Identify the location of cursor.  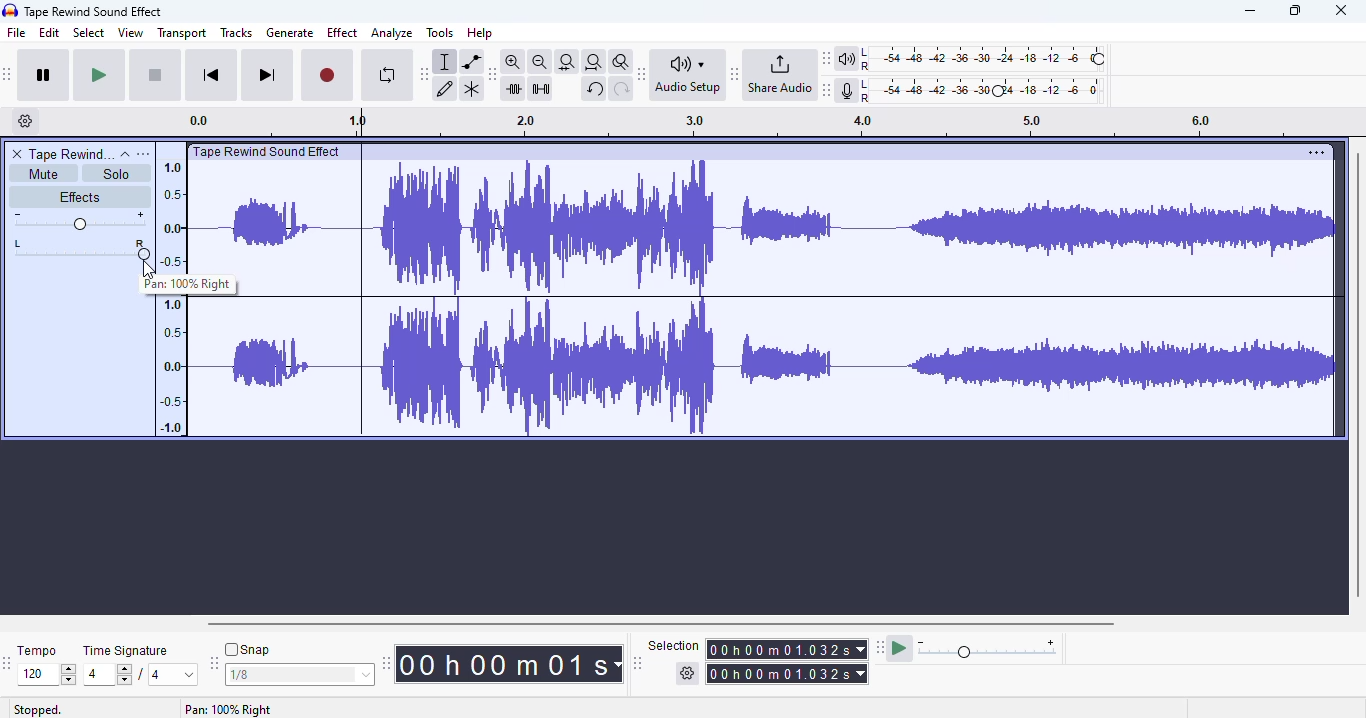
(150, 273).